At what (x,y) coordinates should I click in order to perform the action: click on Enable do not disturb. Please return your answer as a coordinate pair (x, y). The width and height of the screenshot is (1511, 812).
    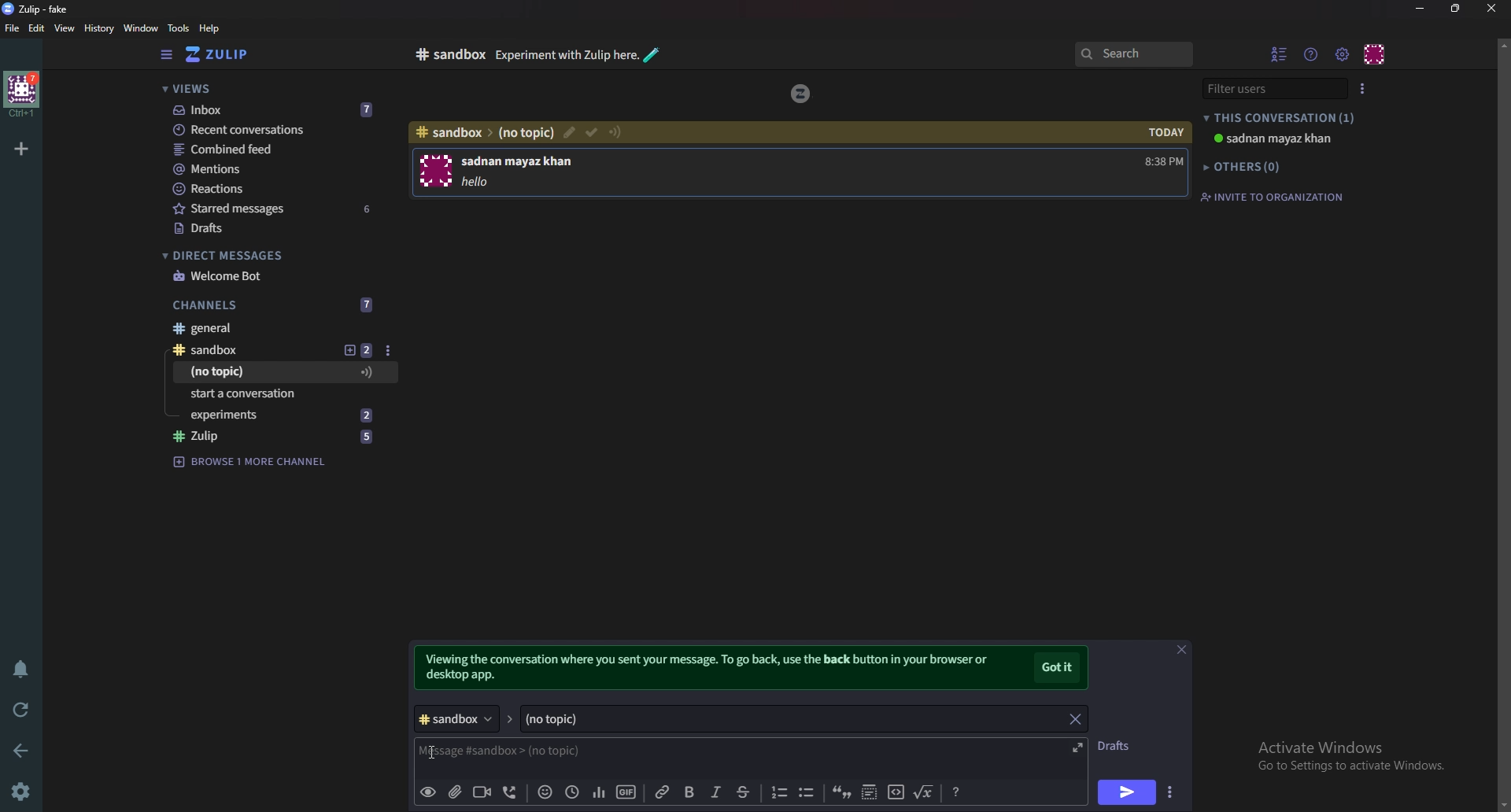
    Looking at the image, I should click on (21, 668).